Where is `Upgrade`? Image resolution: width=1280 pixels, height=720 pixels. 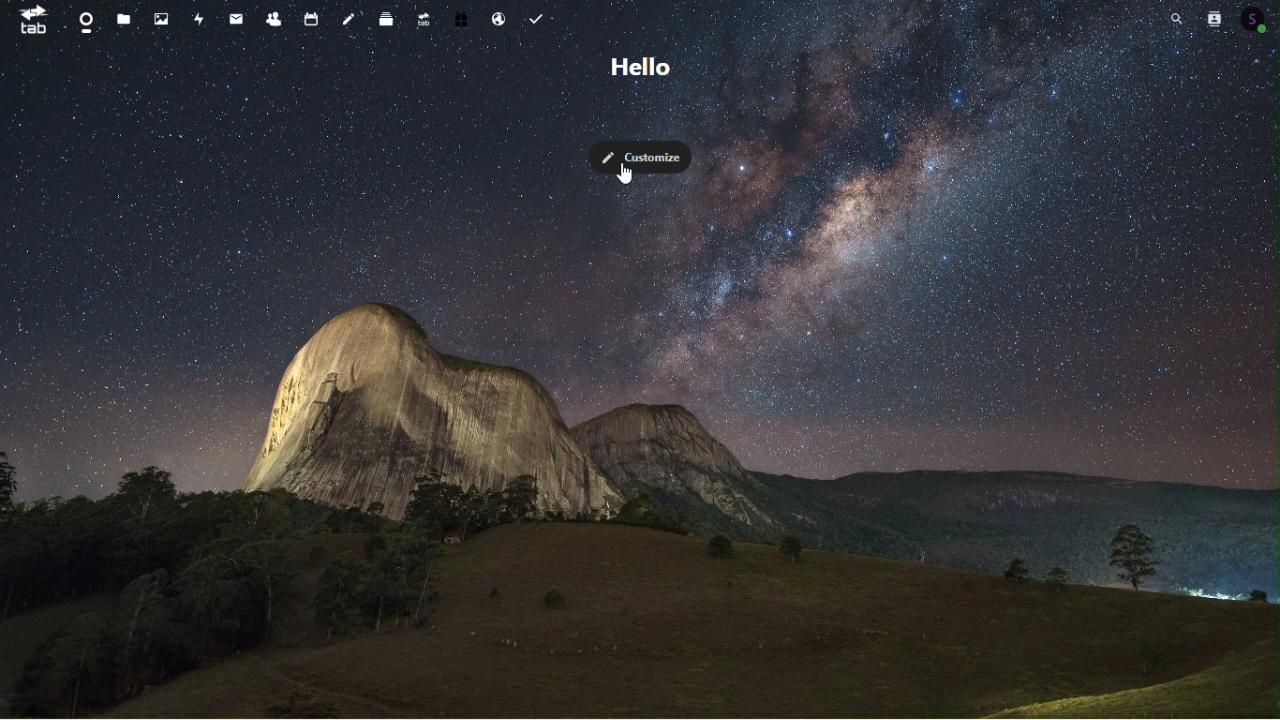
Upgrade is located at coordinates (425, 19).